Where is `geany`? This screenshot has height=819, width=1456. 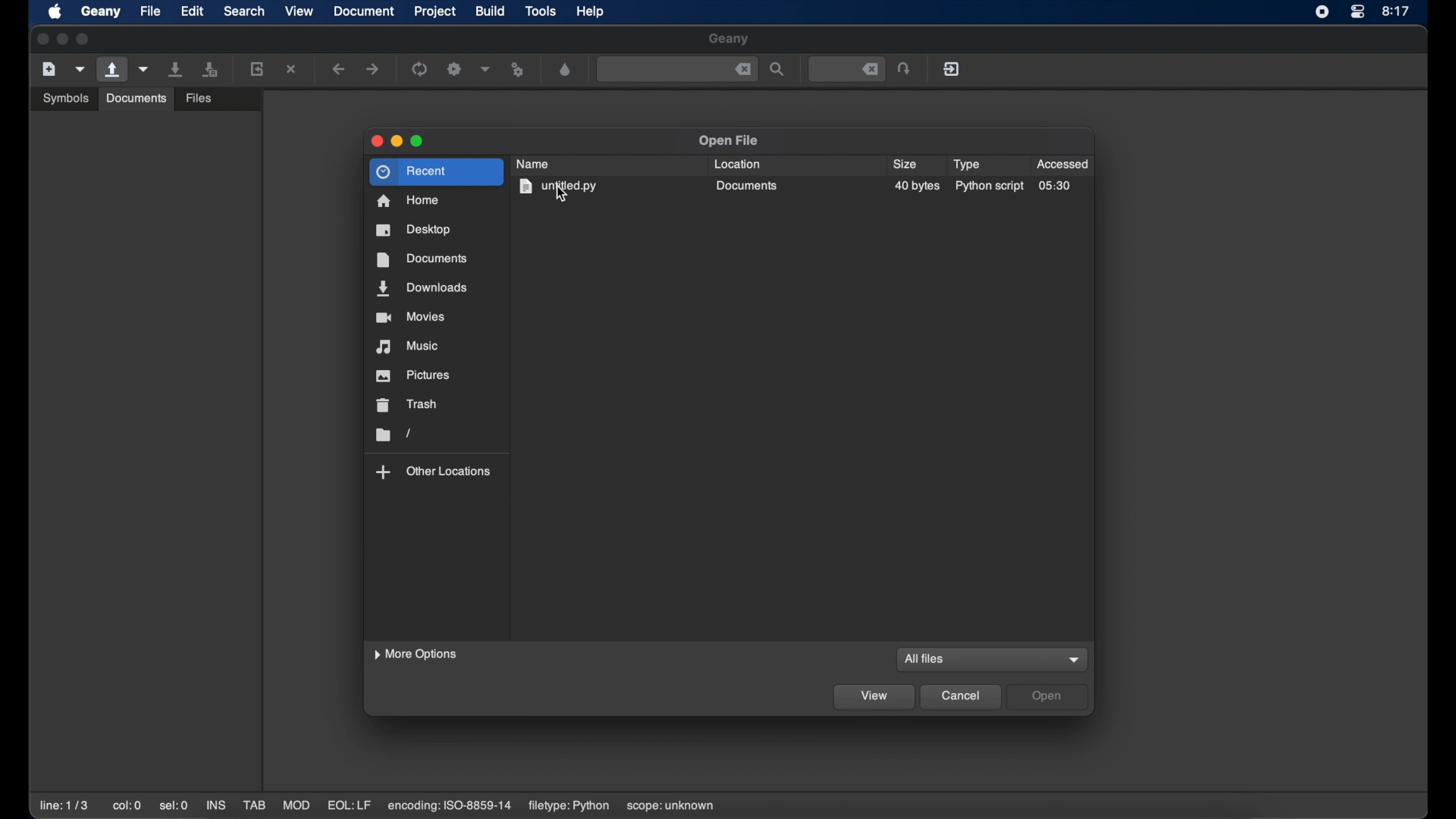
geany is located at coordinates (728, 39).